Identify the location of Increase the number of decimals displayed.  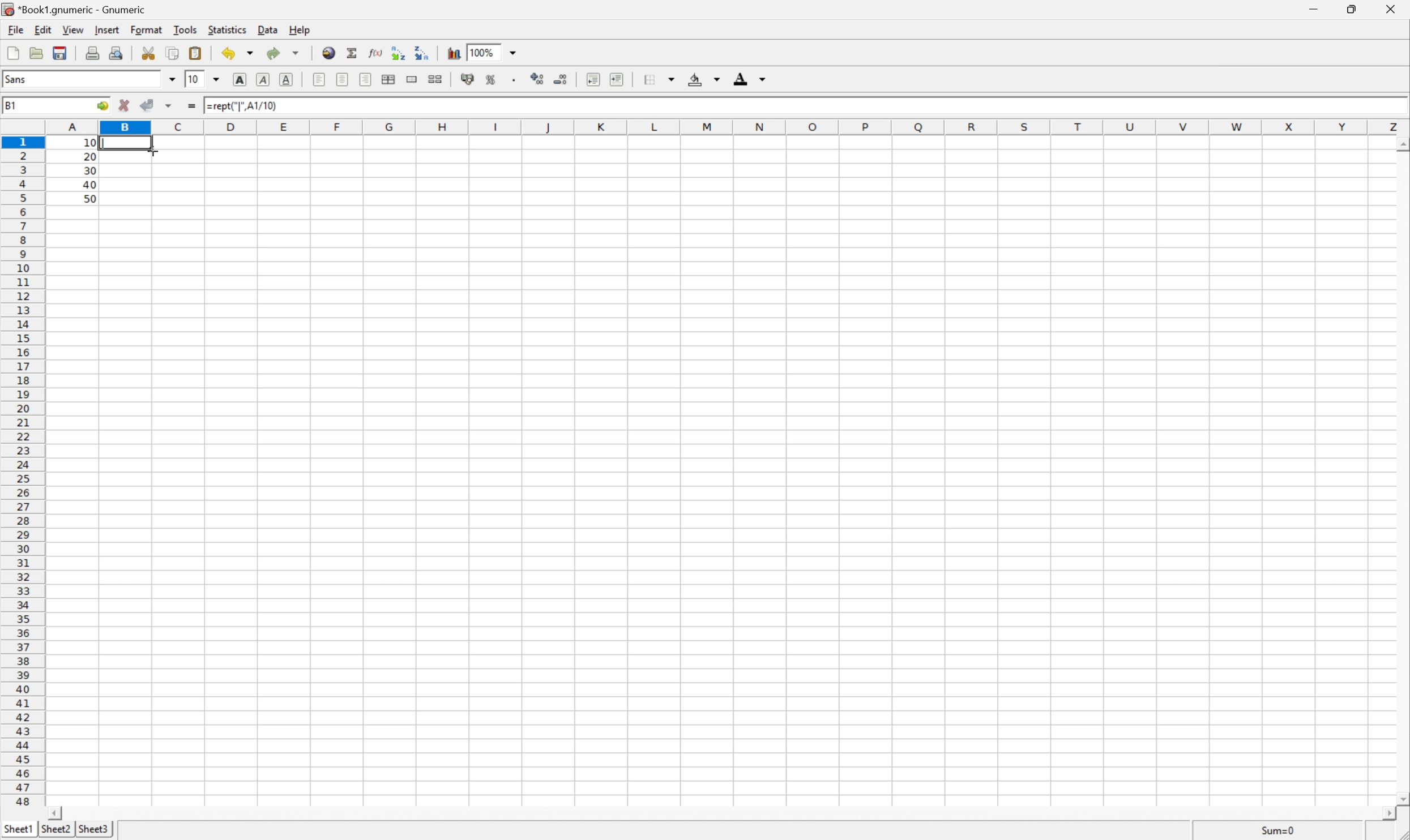
(536, 78).